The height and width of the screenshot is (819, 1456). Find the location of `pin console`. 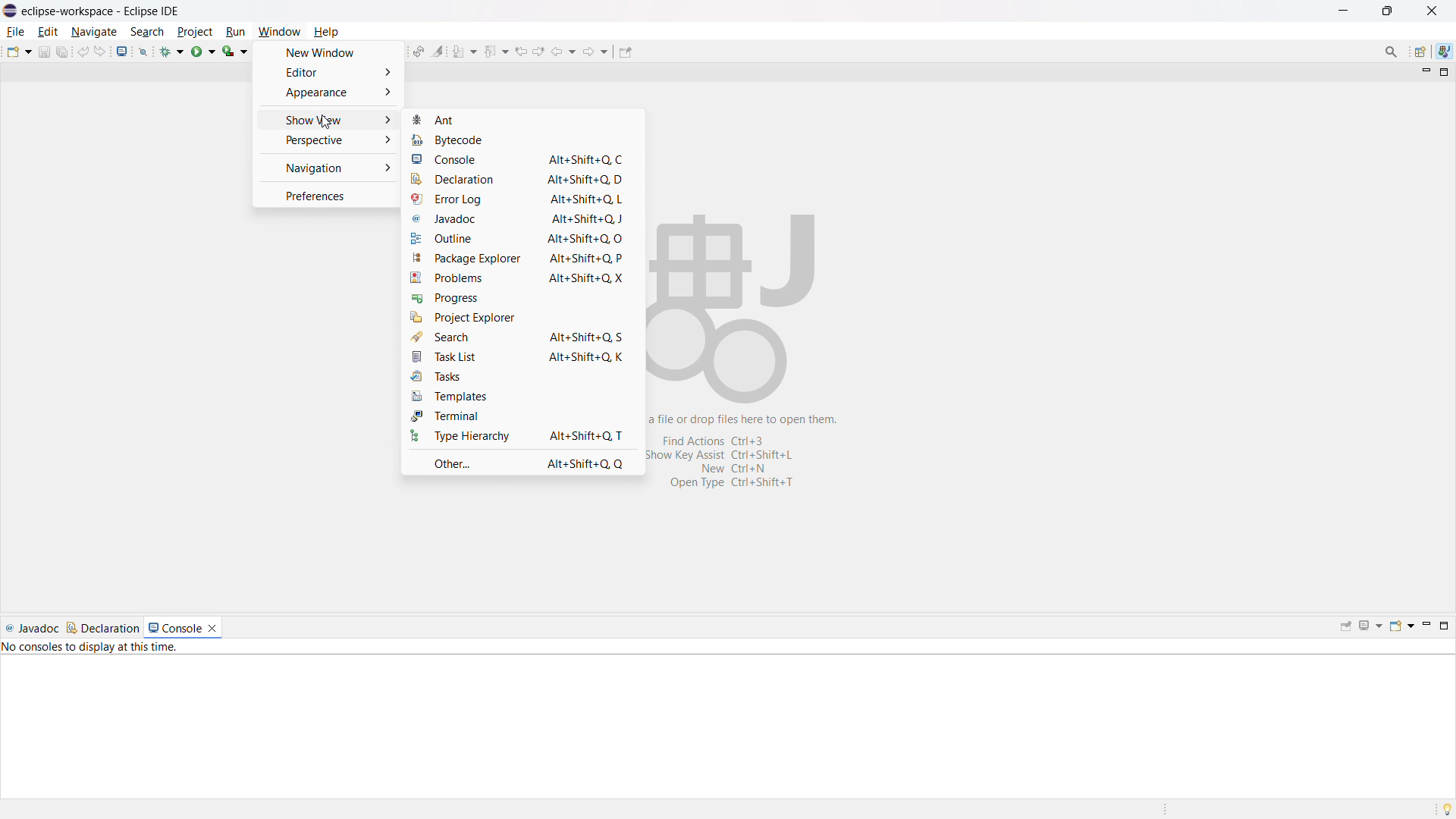

pin console is located at coordinates (1345, 627).